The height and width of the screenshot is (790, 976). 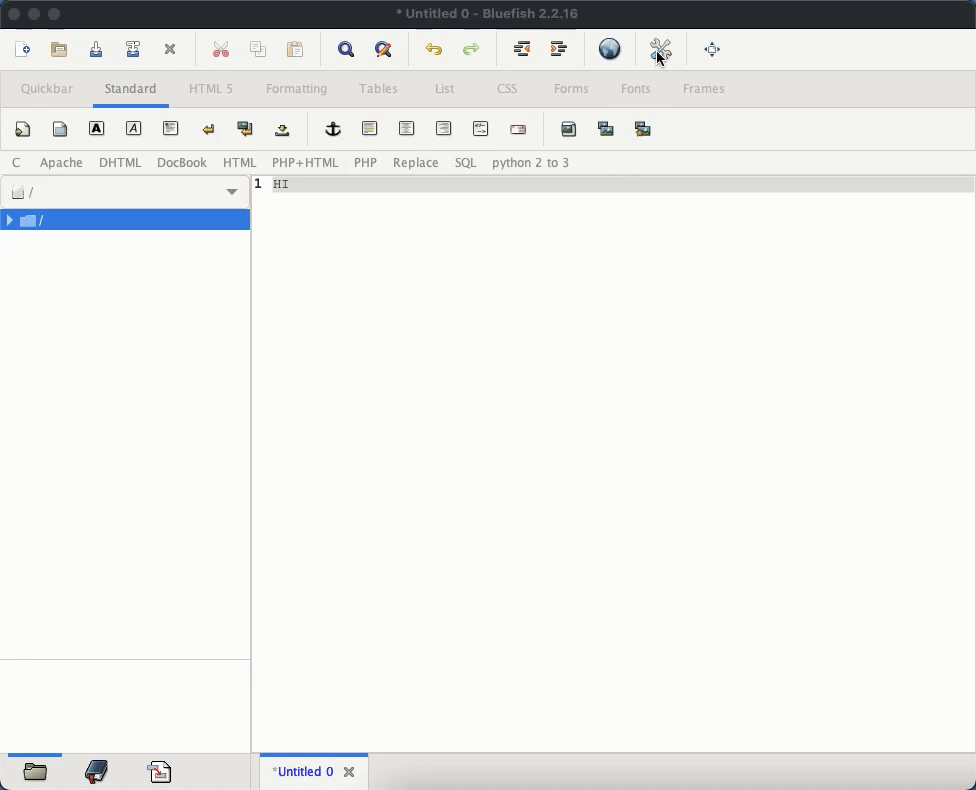 What do you see at coordinates (127, 220) in the screenshot?
I see `folder` at bounding box center [127, 220].